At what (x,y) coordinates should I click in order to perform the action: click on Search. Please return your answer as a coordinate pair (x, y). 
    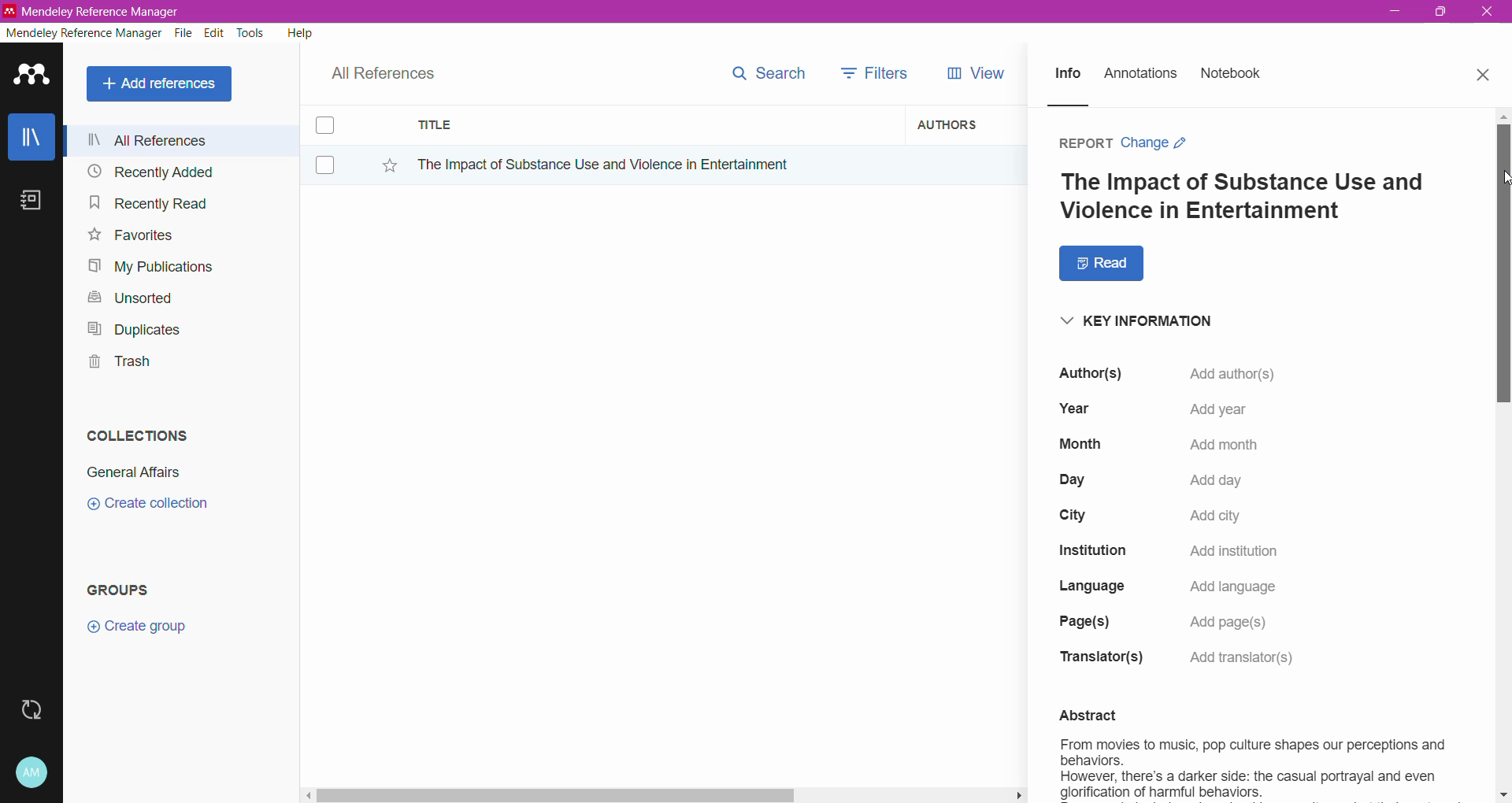
    Looking at the image, I should click on (761, 77).